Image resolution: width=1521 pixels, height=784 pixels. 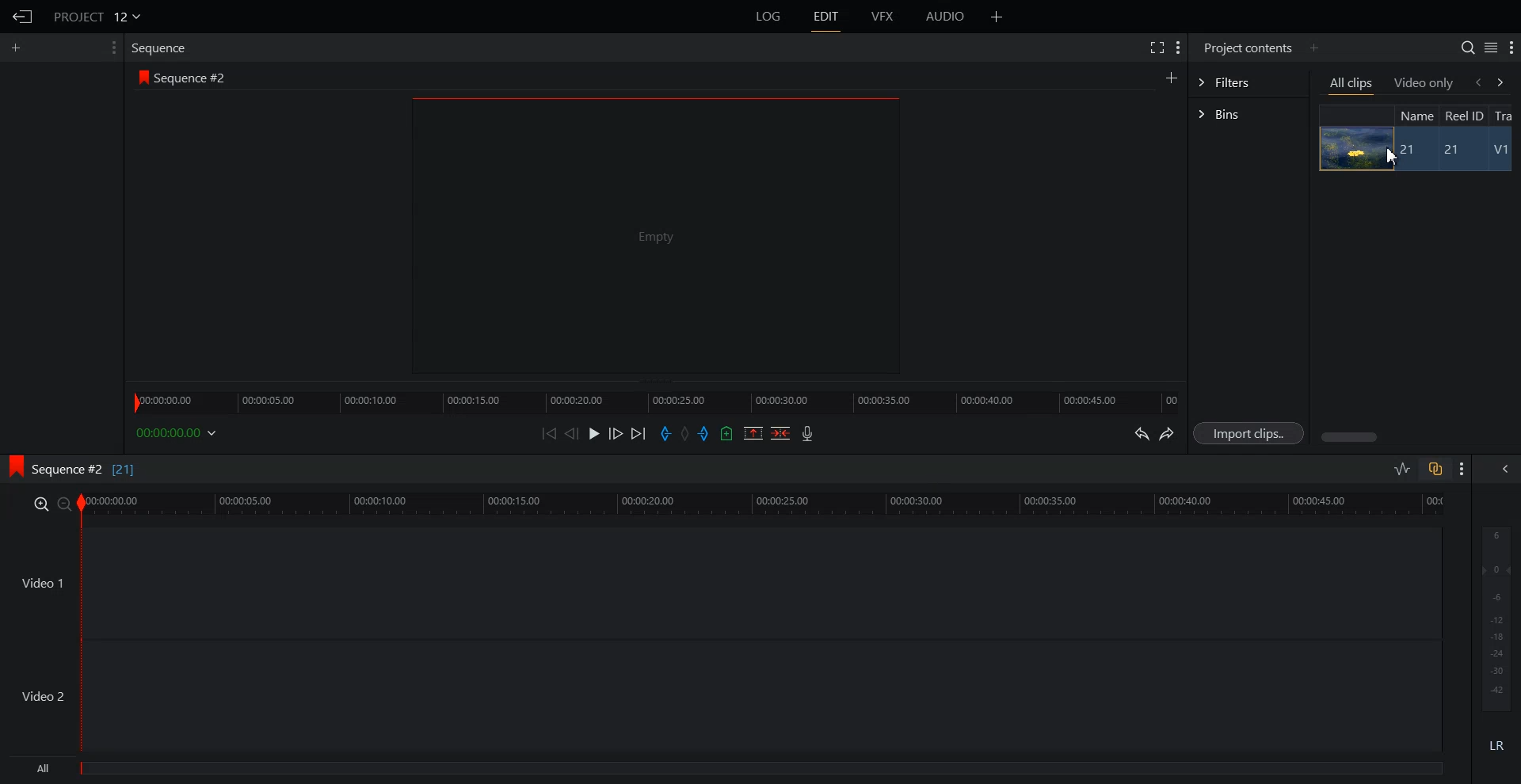 What do you see at coordinates (639, 434) in the screenshot?
I see `Move forward` at bounding box center [639, 434].